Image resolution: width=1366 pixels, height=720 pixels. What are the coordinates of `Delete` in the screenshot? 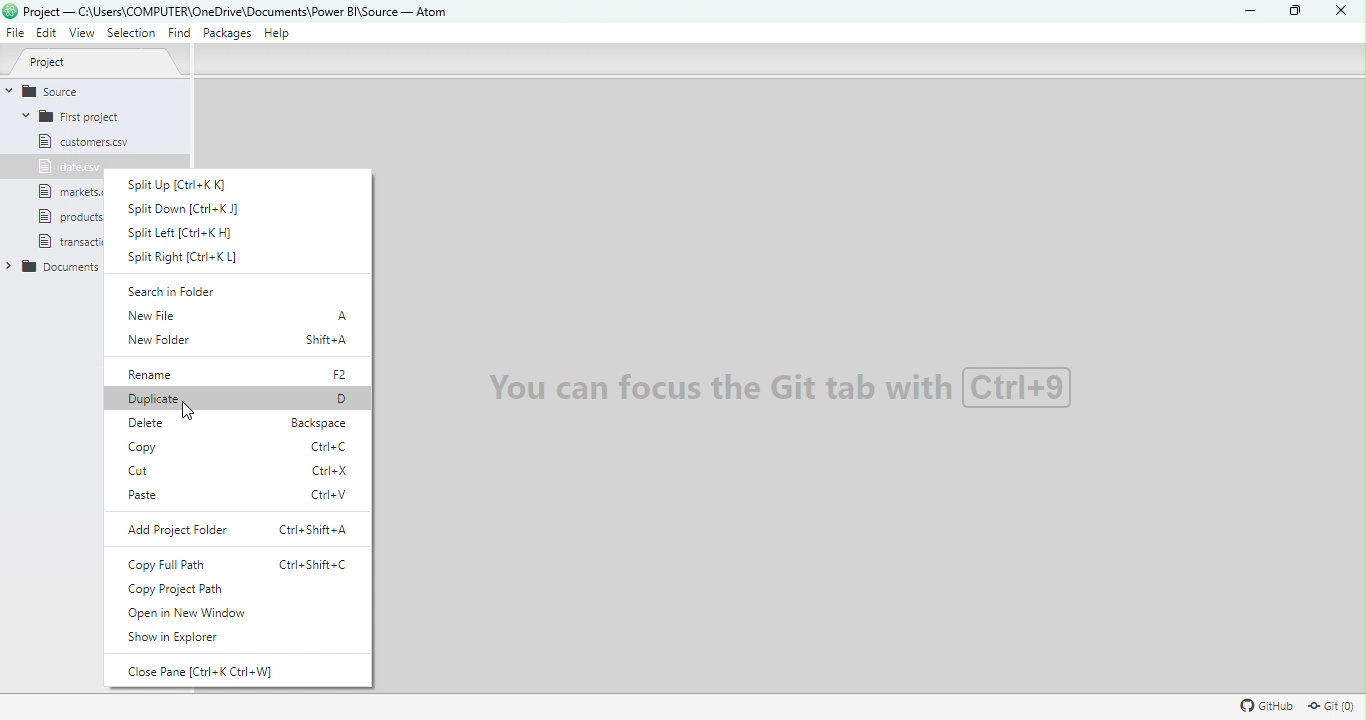 It's located at (246, 422).